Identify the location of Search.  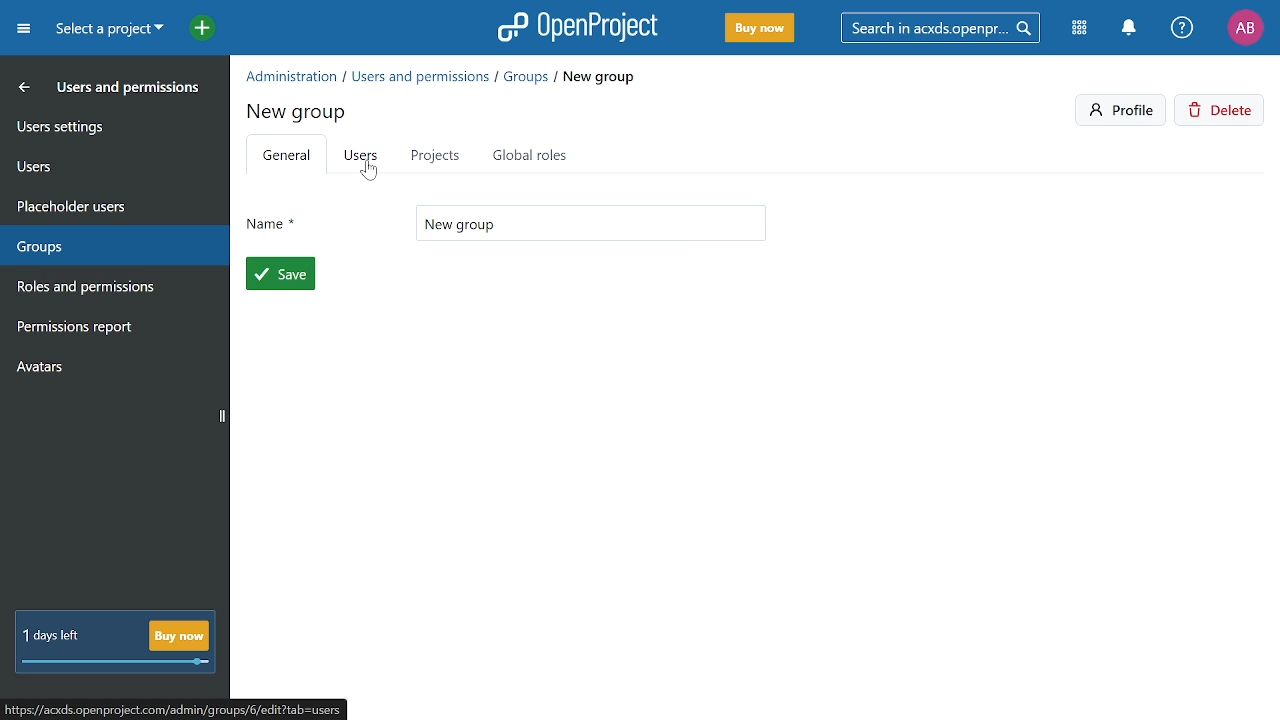
(947, 27).